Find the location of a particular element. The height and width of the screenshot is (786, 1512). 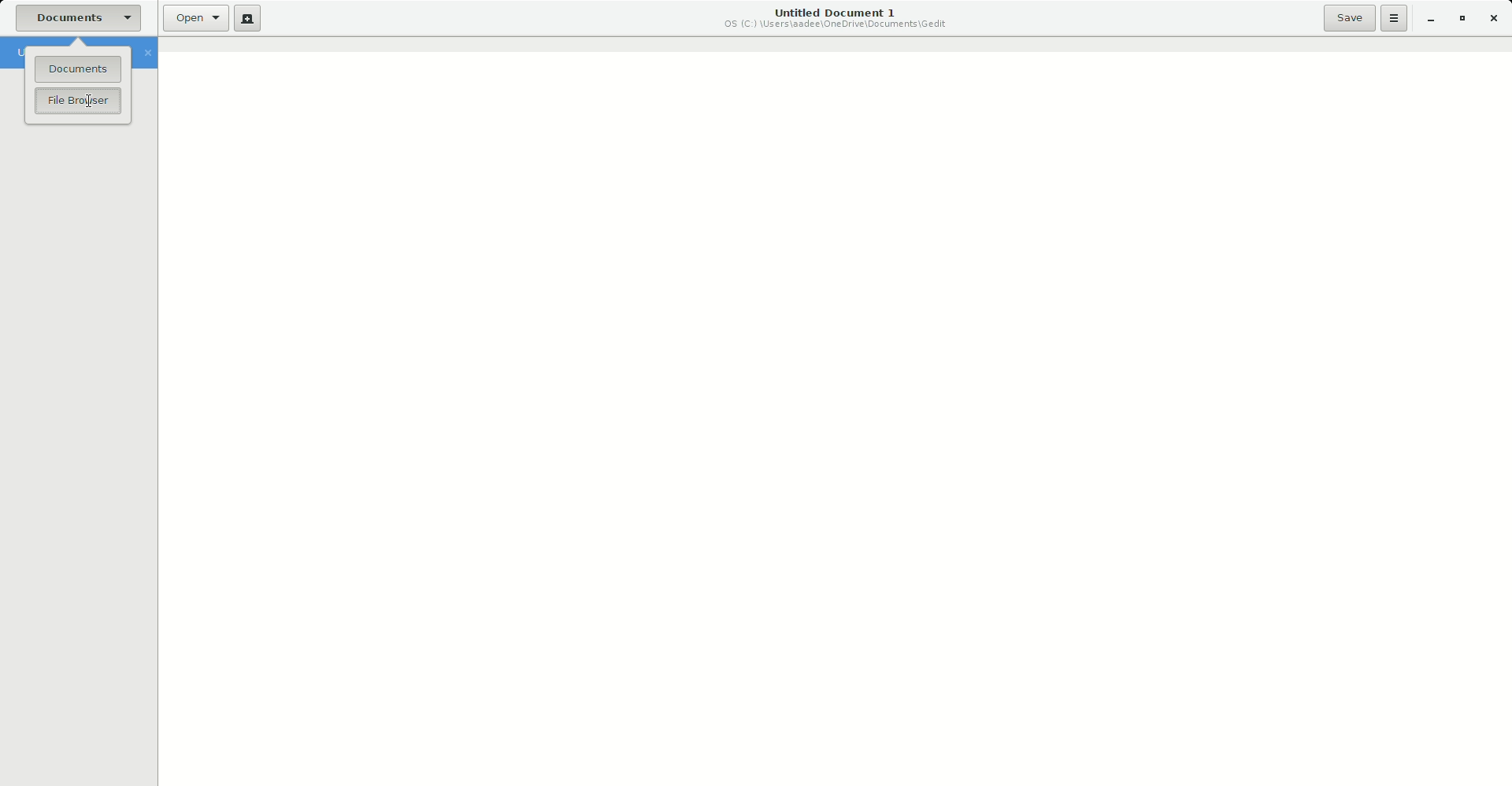

New File is located at coordinates (247, 19).